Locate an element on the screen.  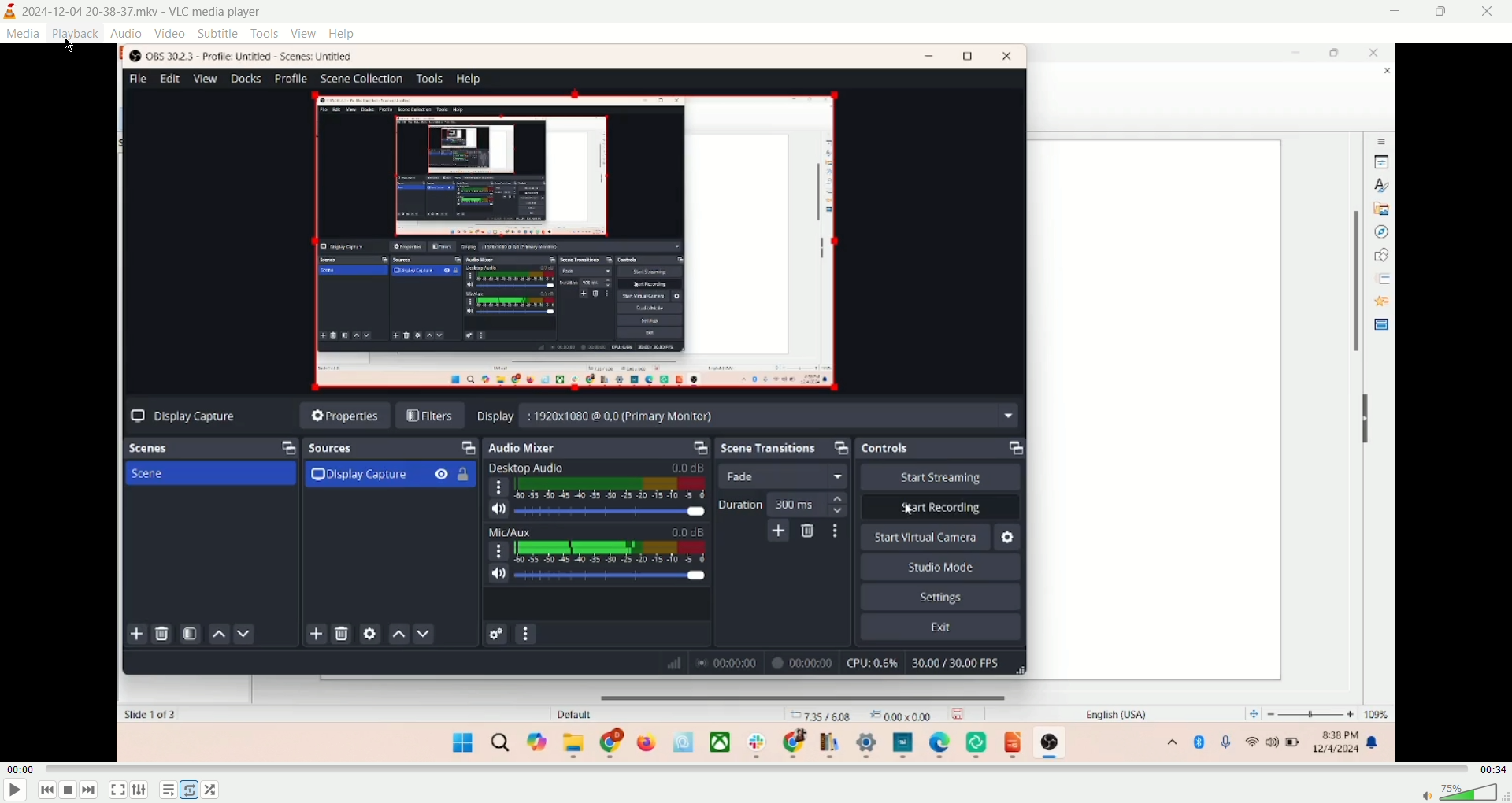
main screen is located at coordinates (755, 401).